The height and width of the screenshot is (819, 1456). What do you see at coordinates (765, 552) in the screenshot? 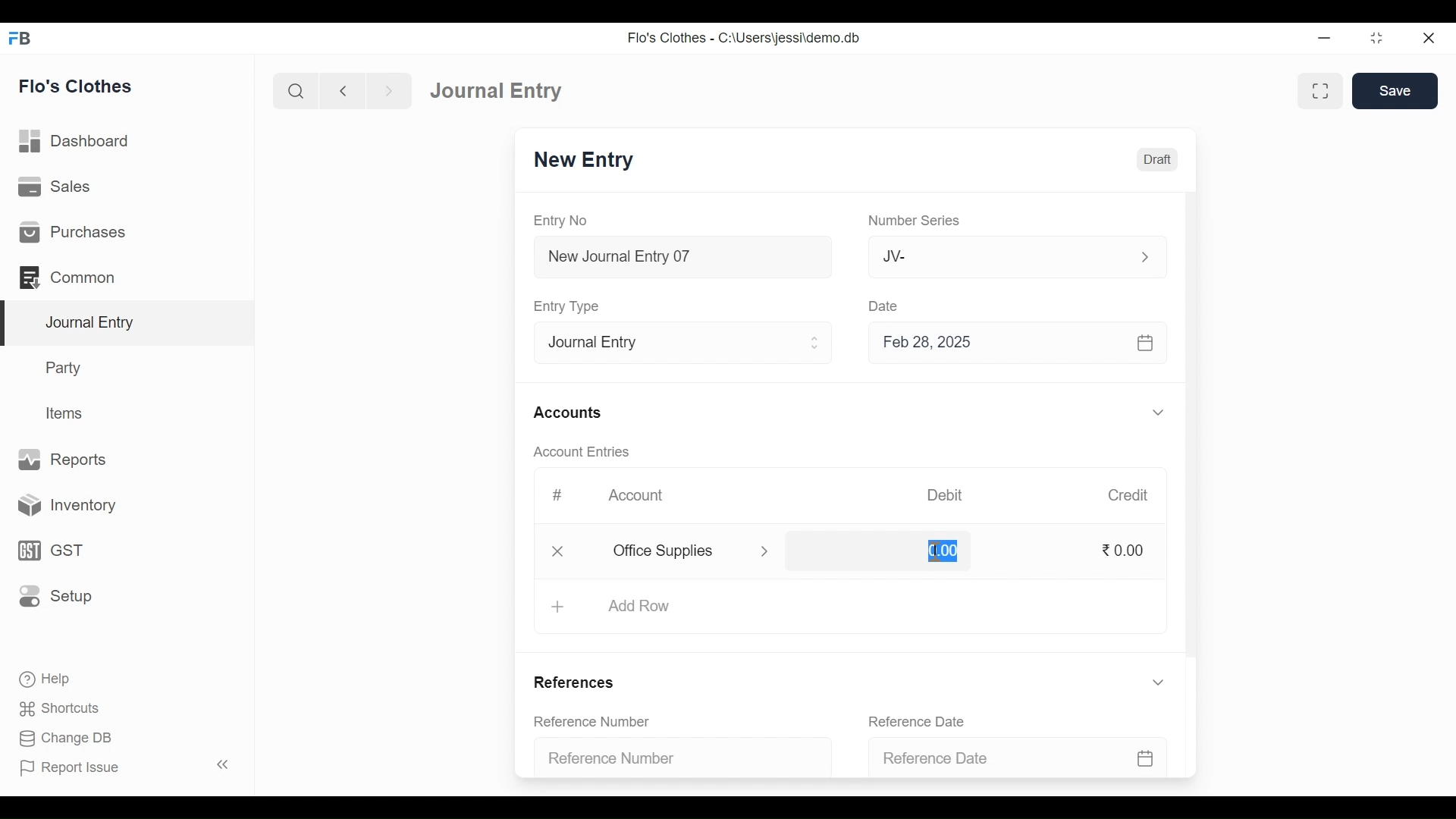
I see `Expand` at bounding box center [765, 552].